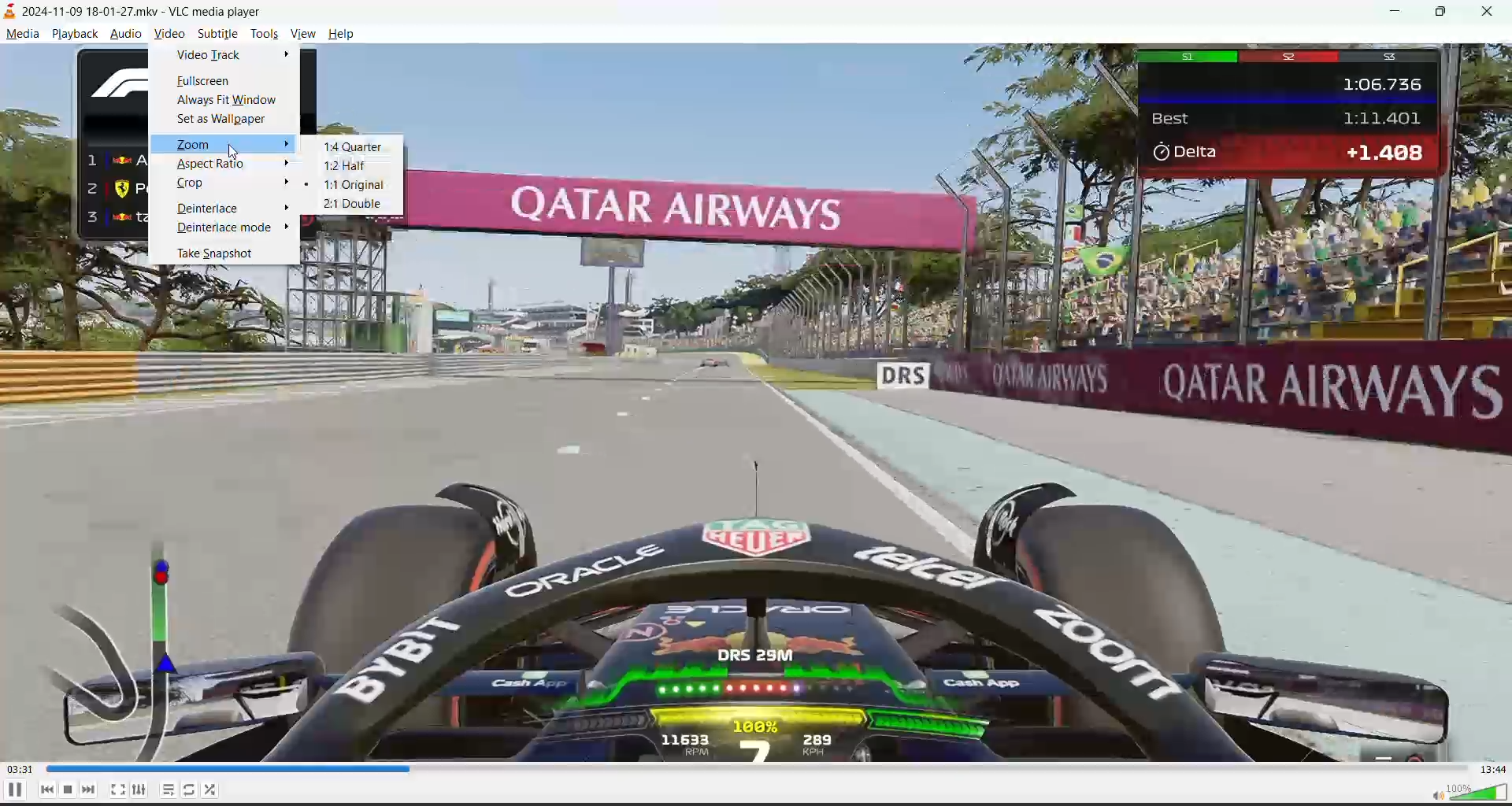  Describe the element at coordinates (1406, 14) in the screenshot. I see `minimize` at that location.